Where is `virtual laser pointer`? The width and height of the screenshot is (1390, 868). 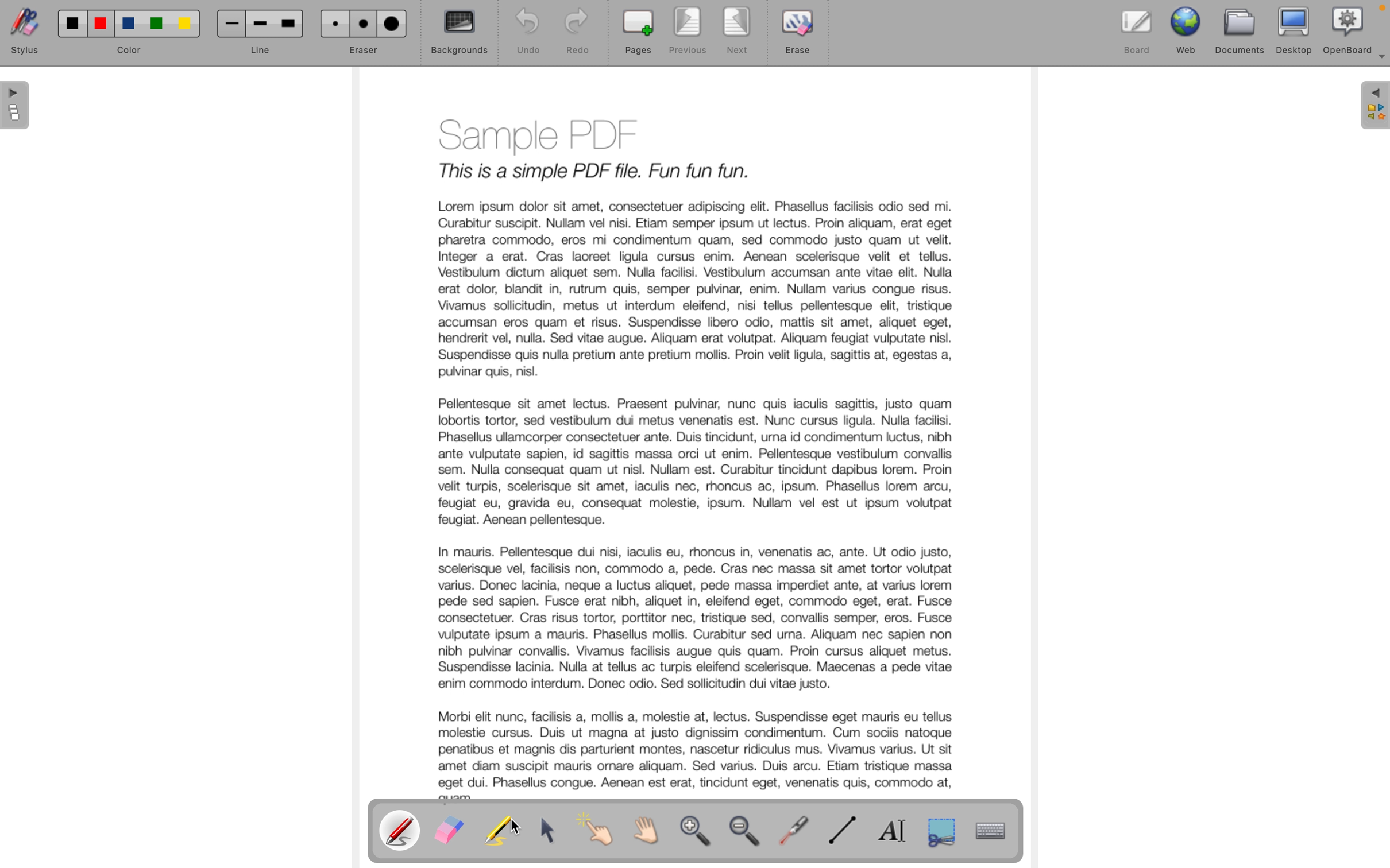
virtual laser pointer is located at coordinates (796, 829).